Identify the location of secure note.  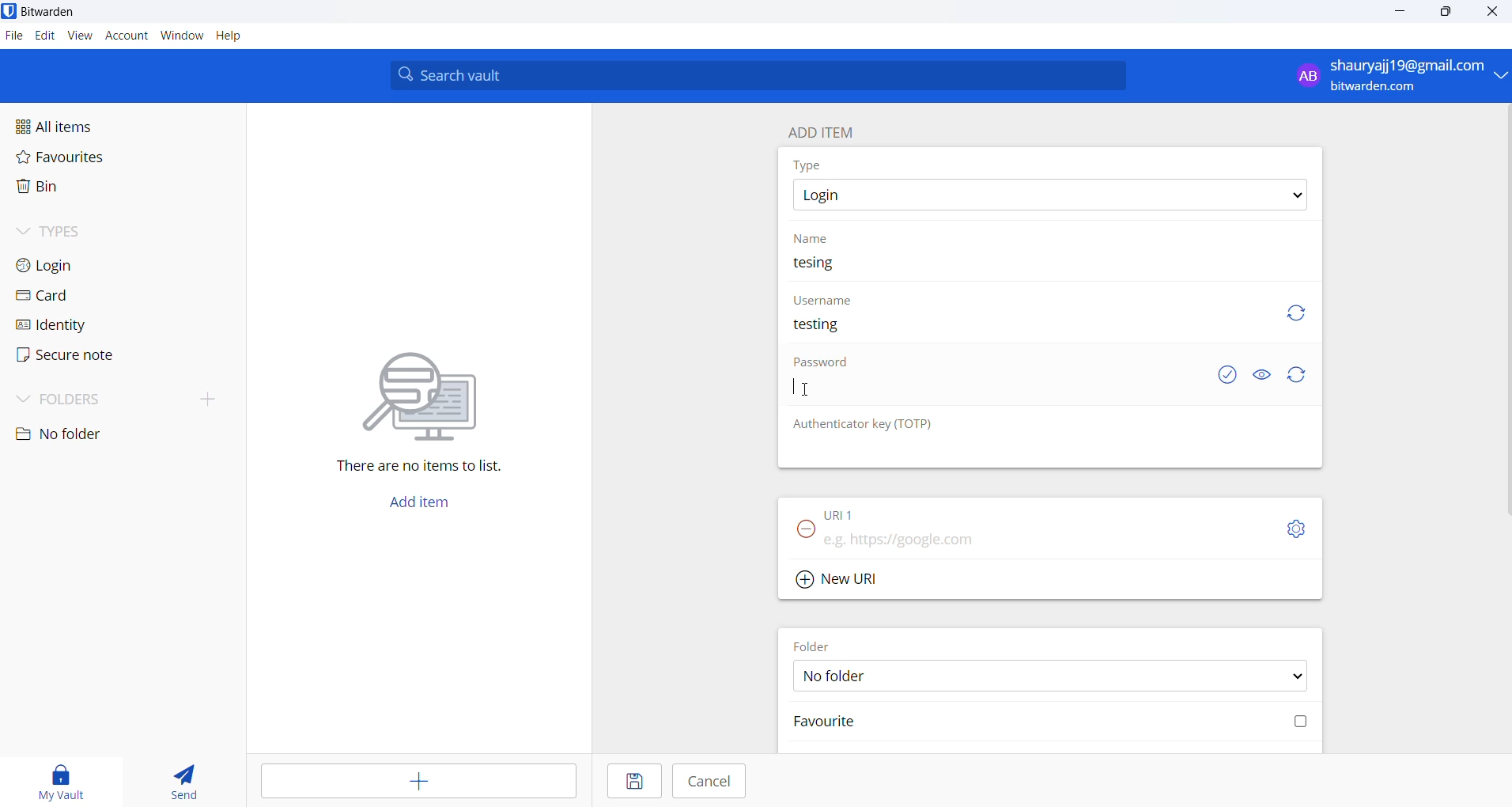
(85, 358).